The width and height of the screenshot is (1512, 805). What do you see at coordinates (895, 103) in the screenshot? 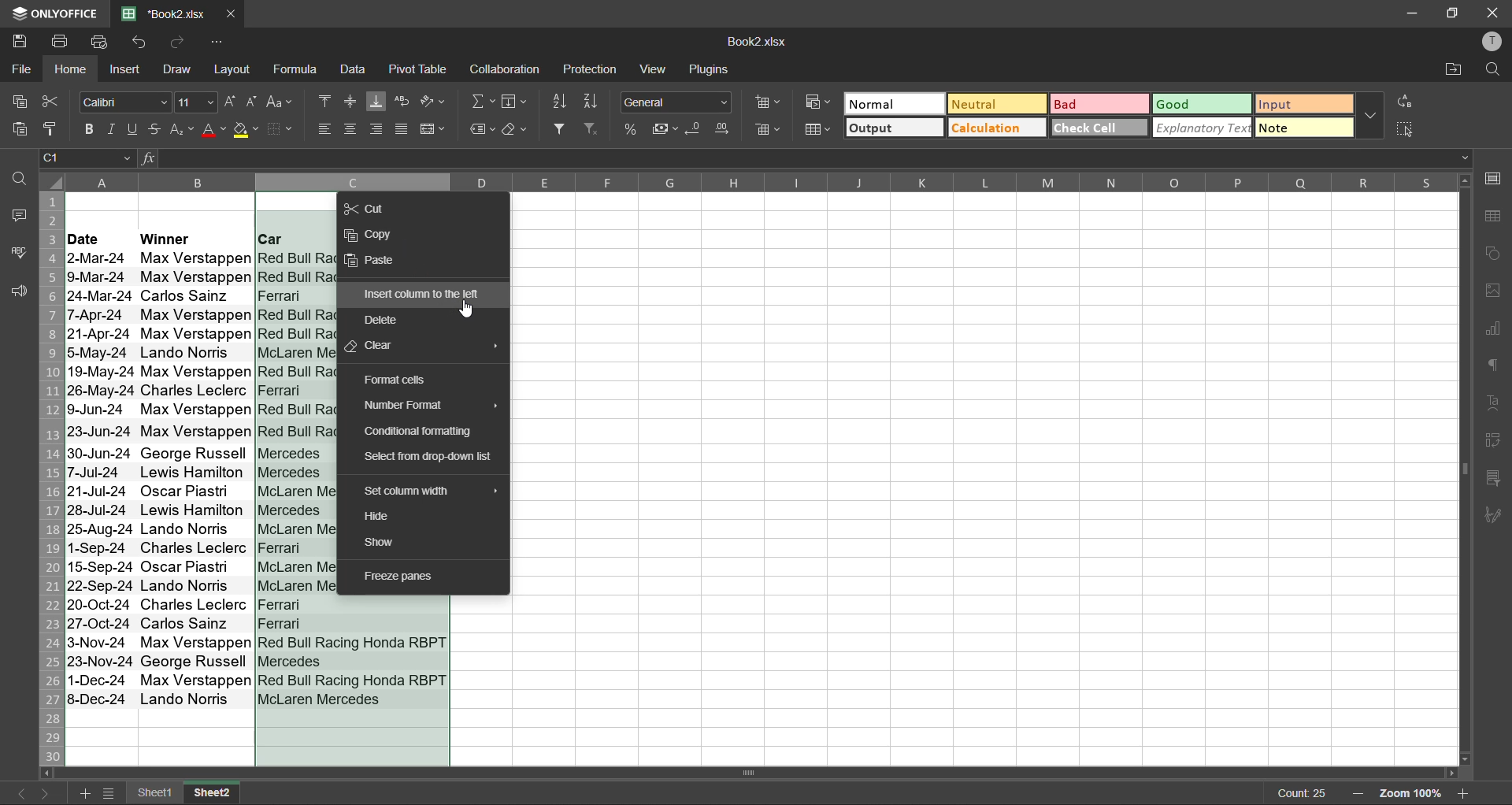
I see `normal` at bounding box center [895, 103].